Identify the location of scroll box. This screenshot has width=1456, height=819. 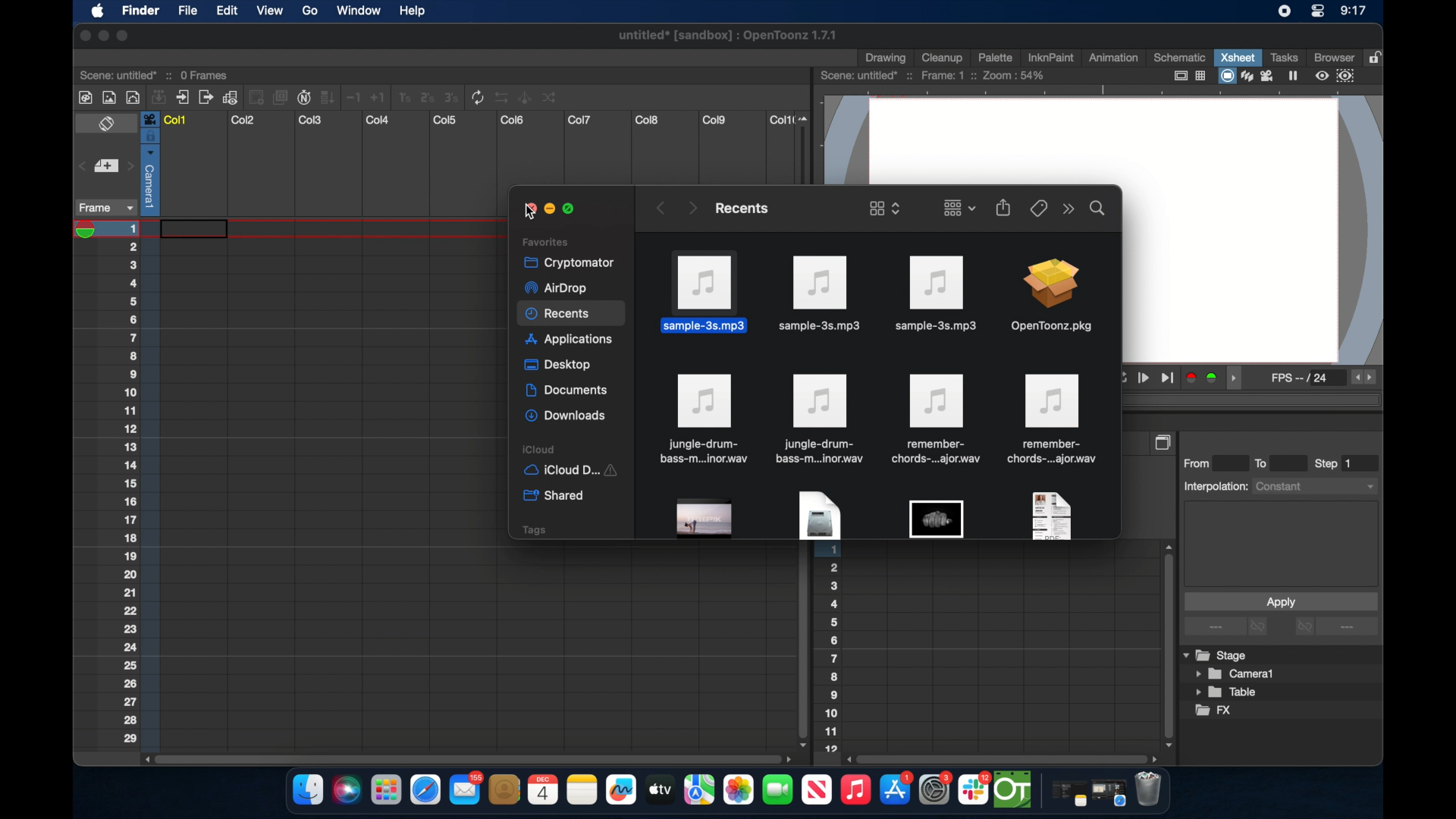
(801, 647).